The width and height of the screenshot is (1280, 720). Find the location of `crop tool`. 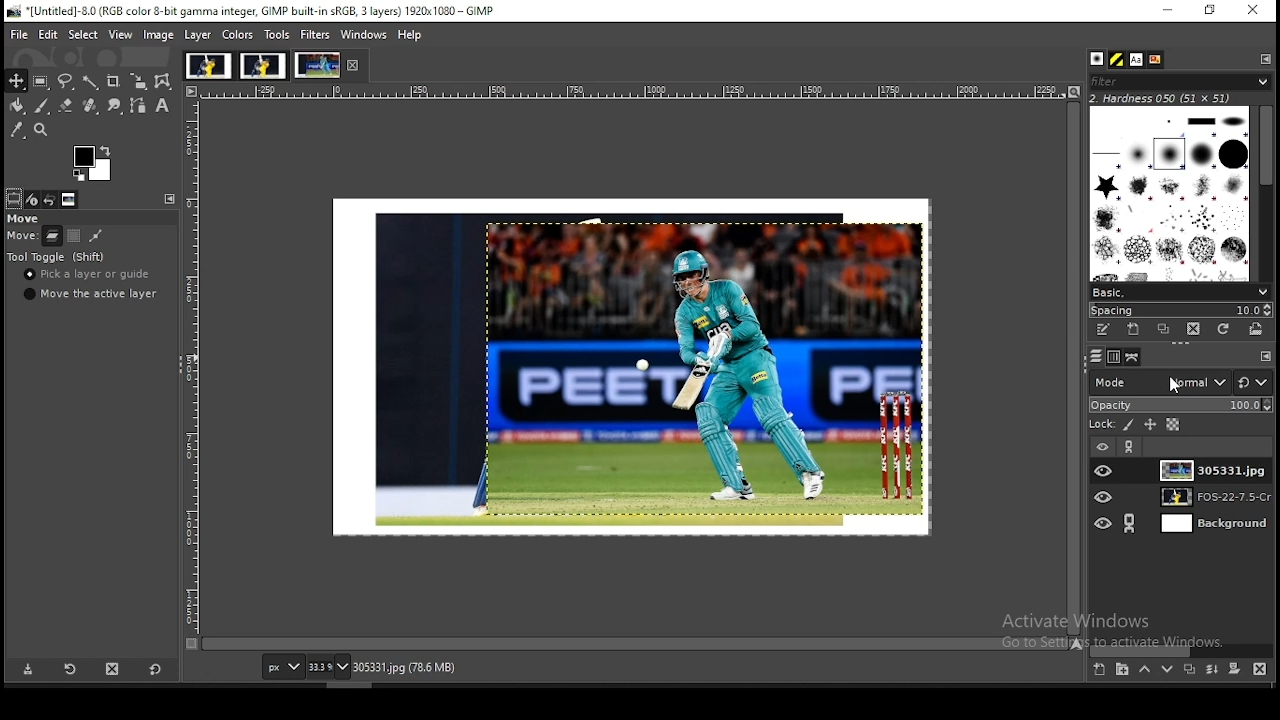

crop tool is located at coordinates (114, 82).